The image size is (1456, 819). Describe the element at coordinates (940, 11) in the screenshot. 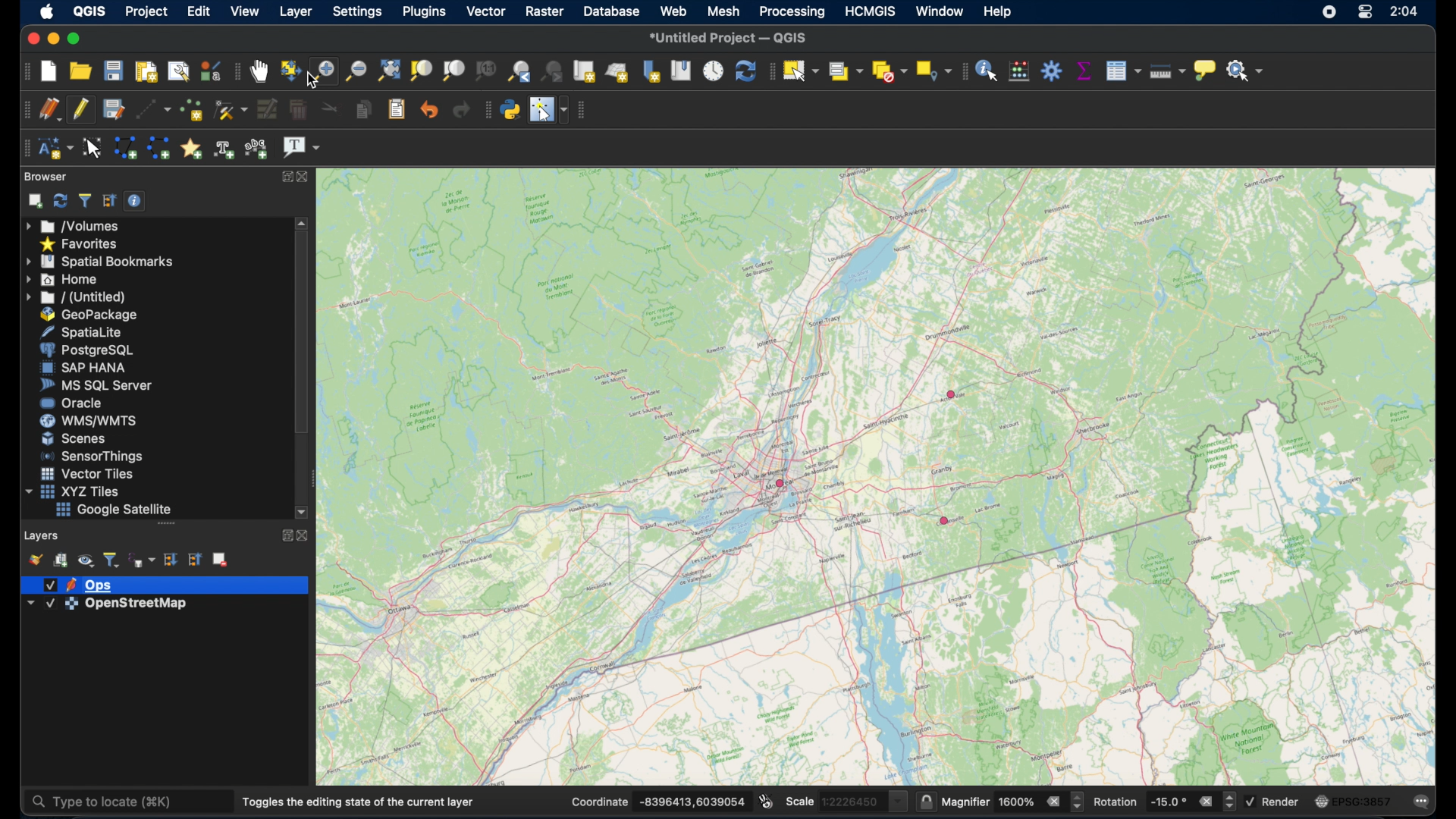

I see `window` at that location.